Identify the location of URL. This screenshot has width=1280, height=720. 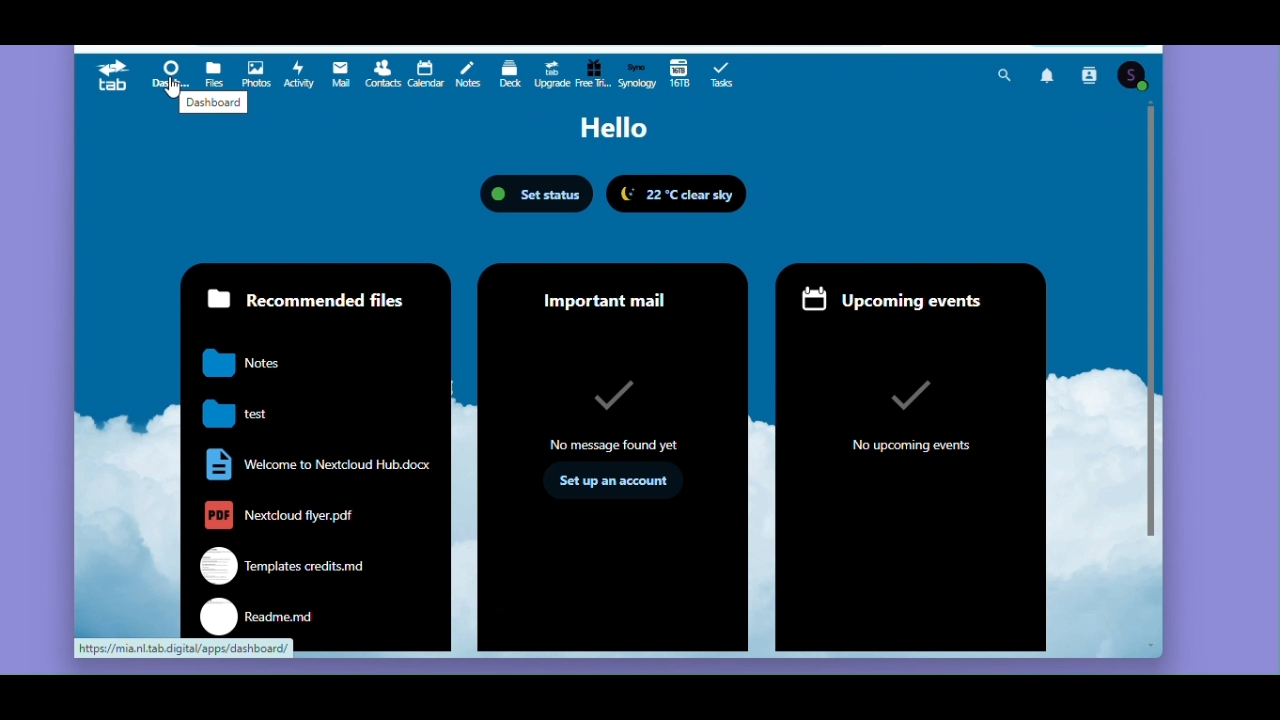
(185, 648).